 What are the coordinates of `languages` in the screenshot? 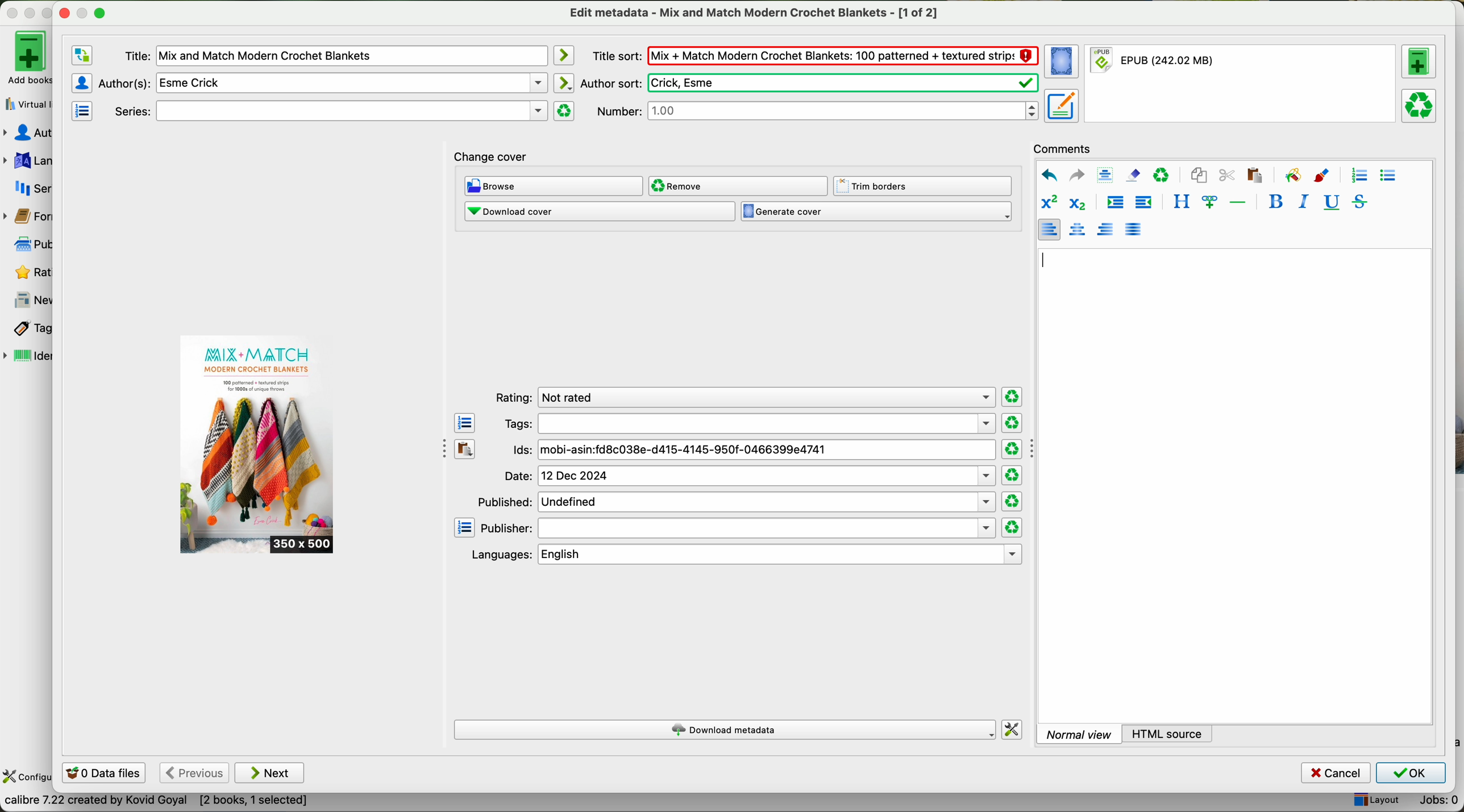 It's located at (744, 555).